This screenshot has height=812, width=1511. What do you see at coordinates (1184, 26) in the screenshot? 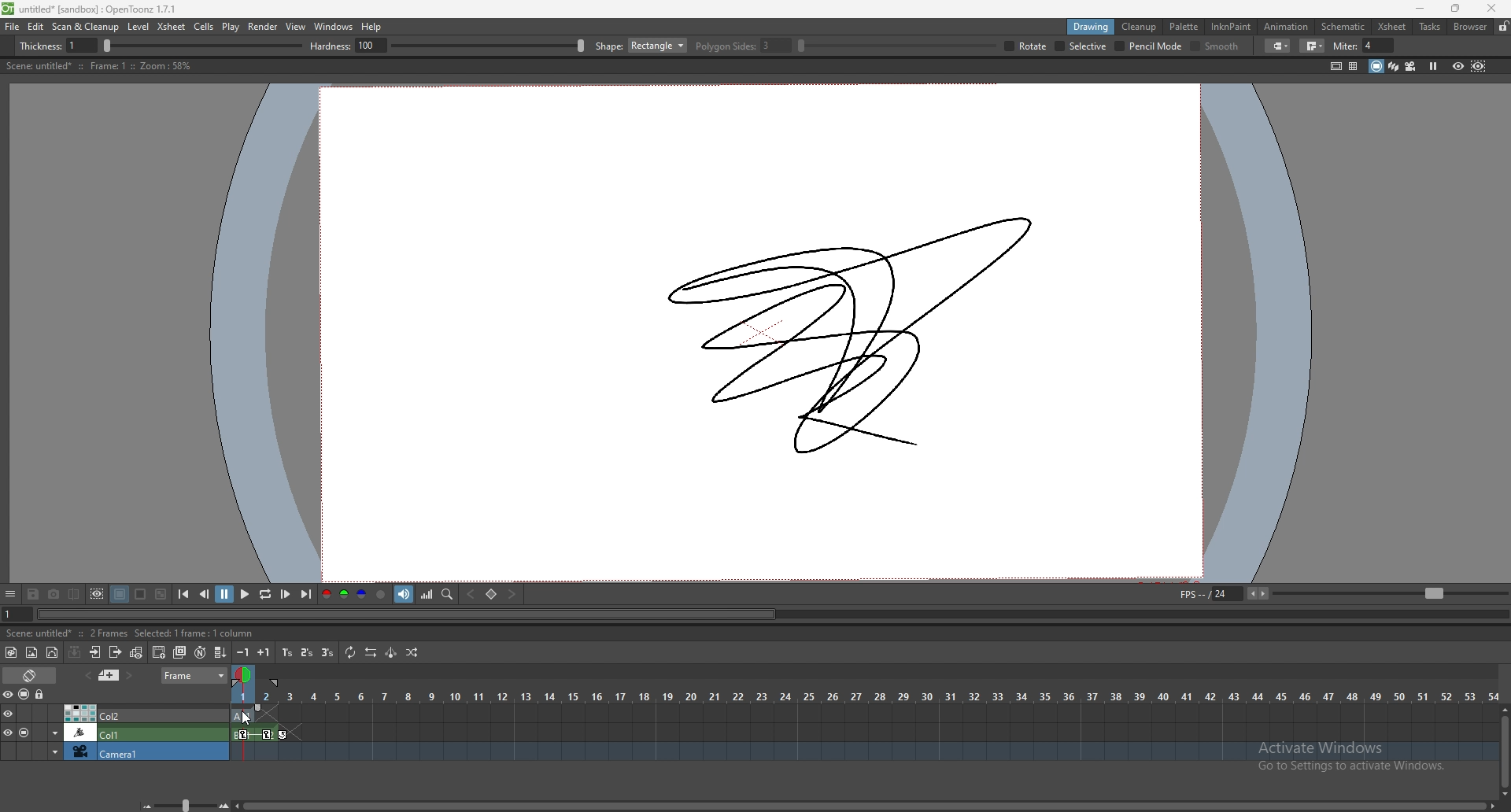
I see `palette` at bounding box center [1184, 26].